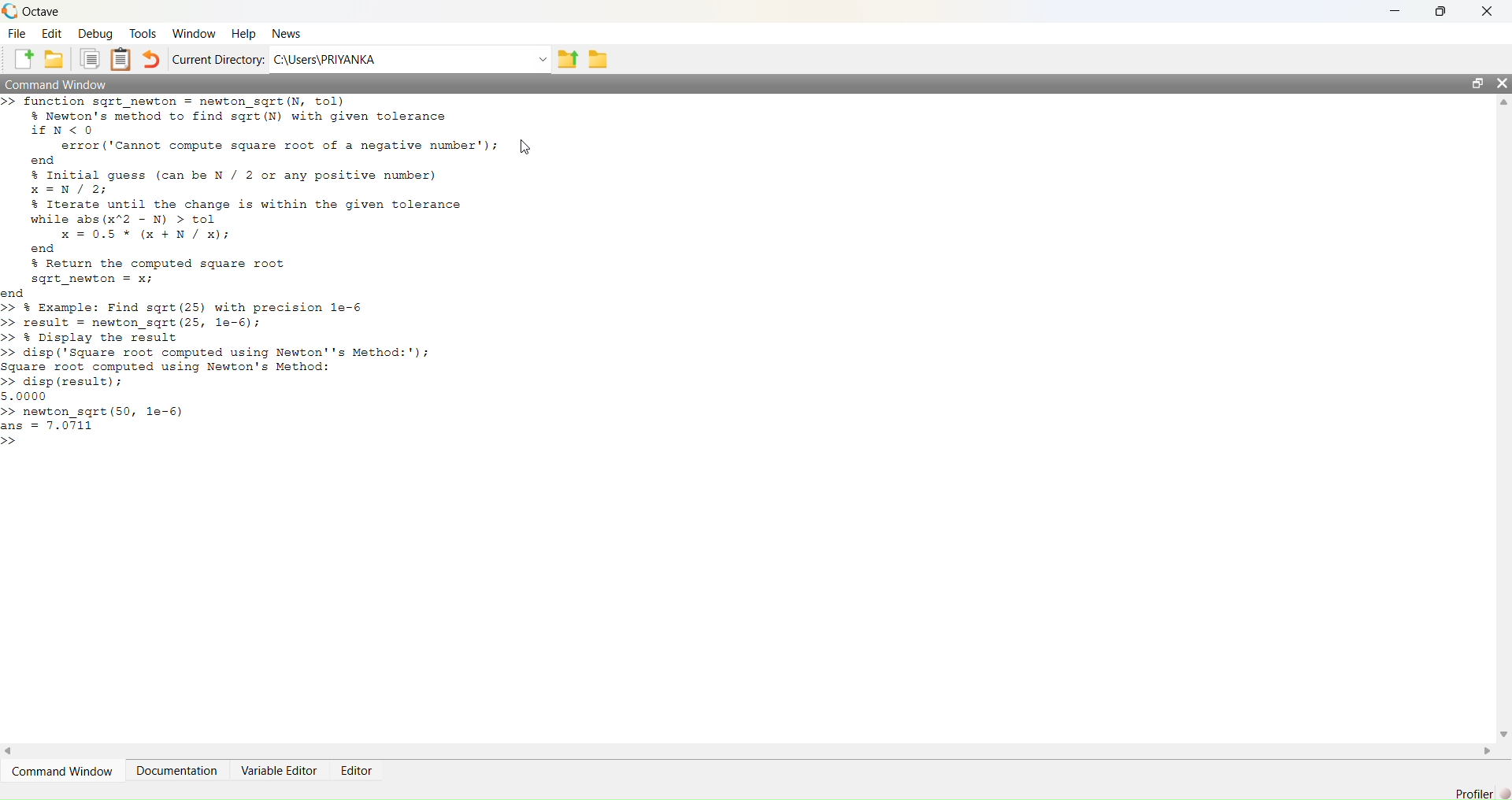  I want to click on File, so click(17, 35).